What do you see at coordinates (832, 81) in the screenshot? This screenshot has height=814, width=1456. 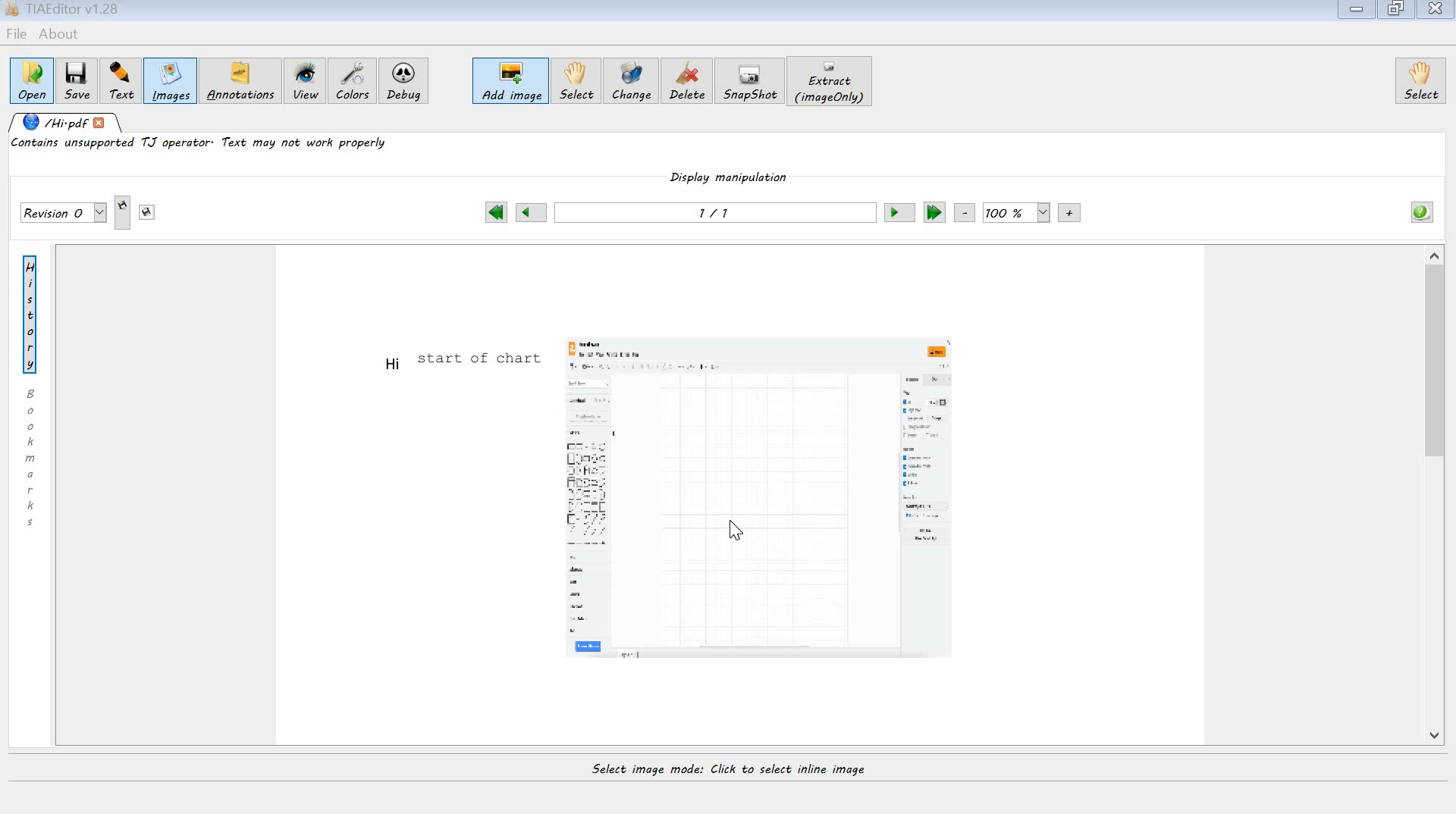 I see `extract (image only)` at bounding box center [832, 81].